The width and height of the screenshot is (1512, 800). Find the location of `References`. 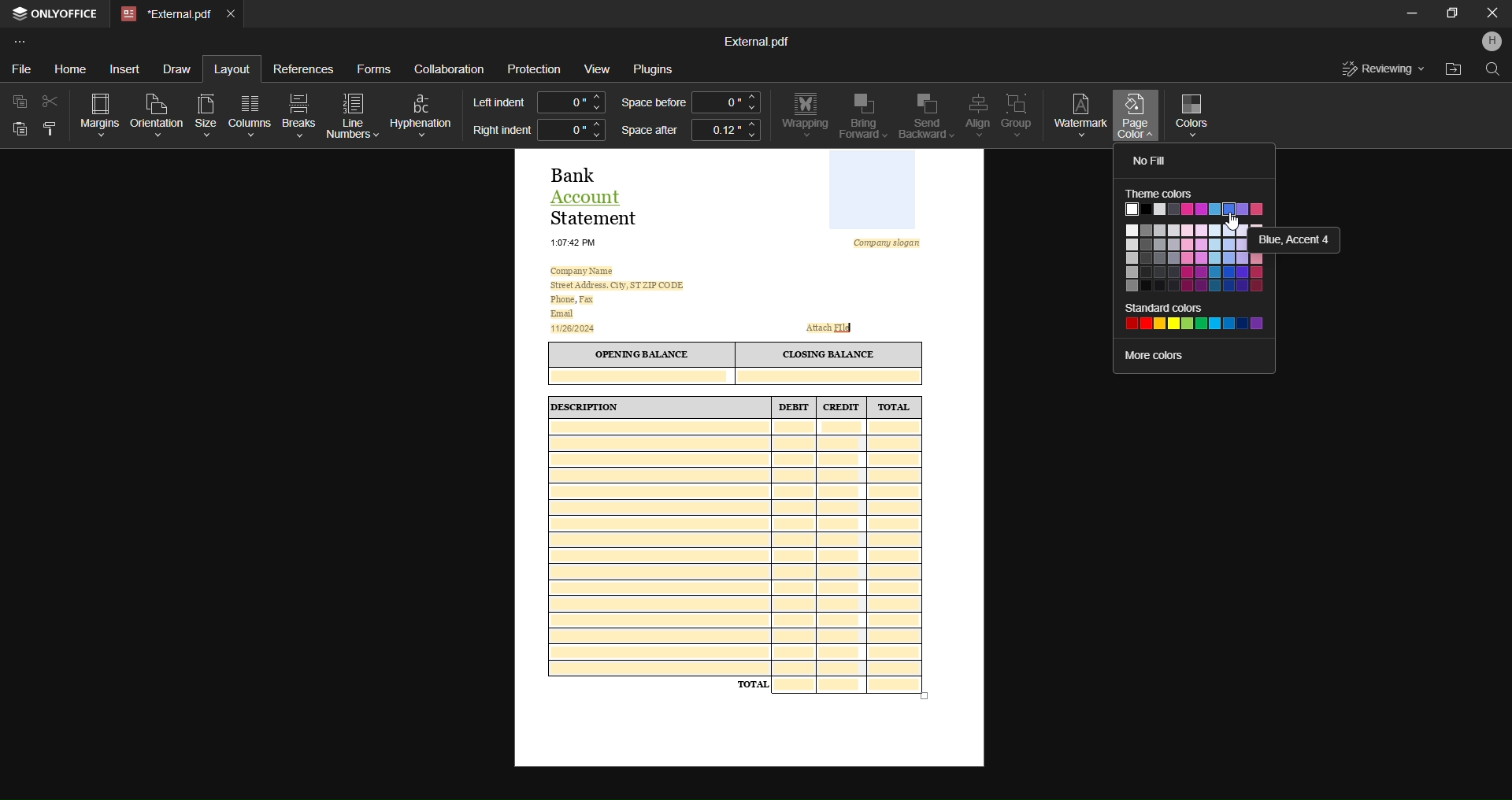

References is located at coordinates (304, 72).